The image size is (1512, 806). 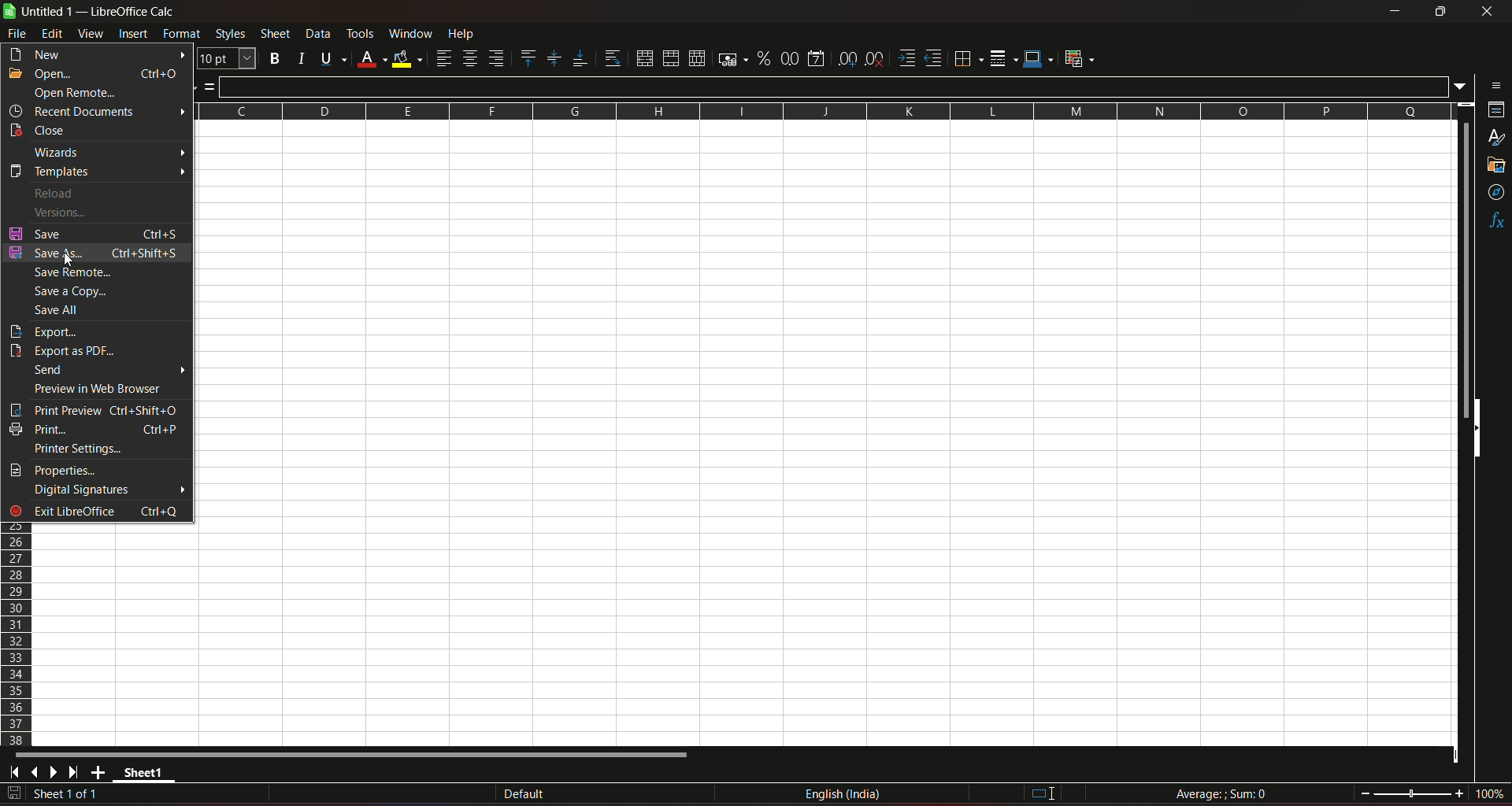 I want to click on Format, so click(x=181, y=35).